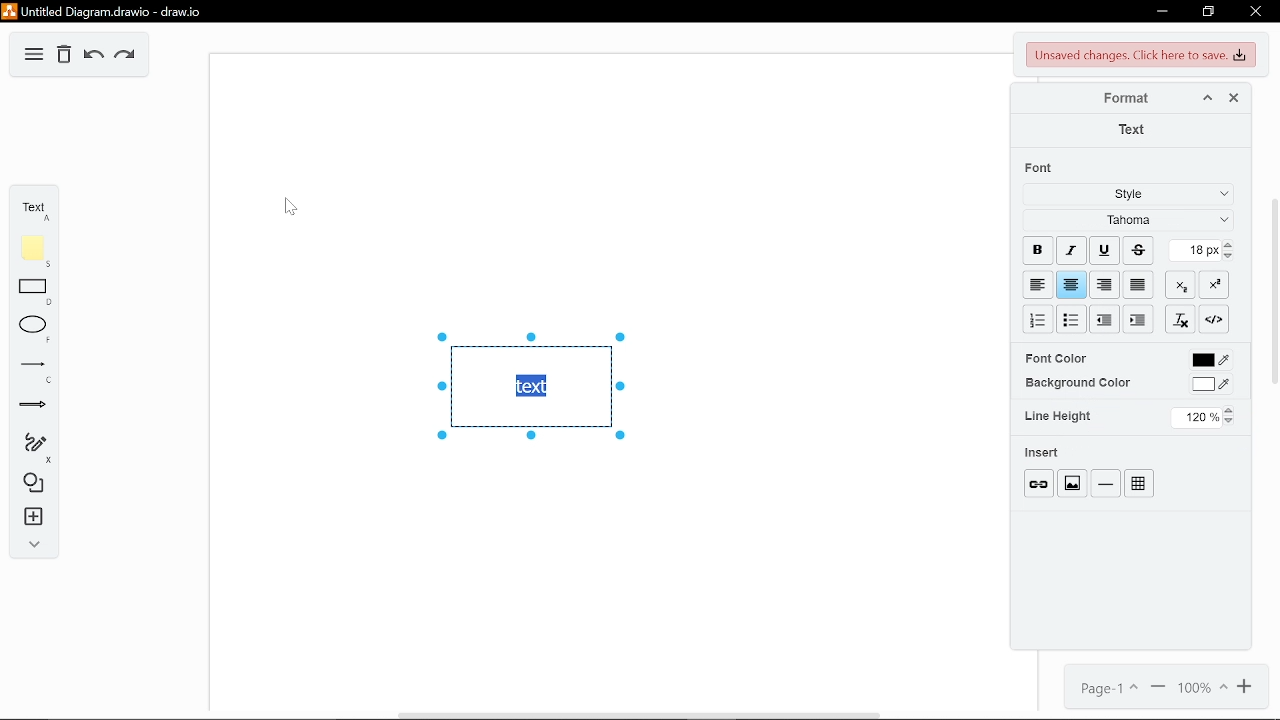 The width and height of the screenshot is (1280, 720). I want to click on format, so click(1127, 100).